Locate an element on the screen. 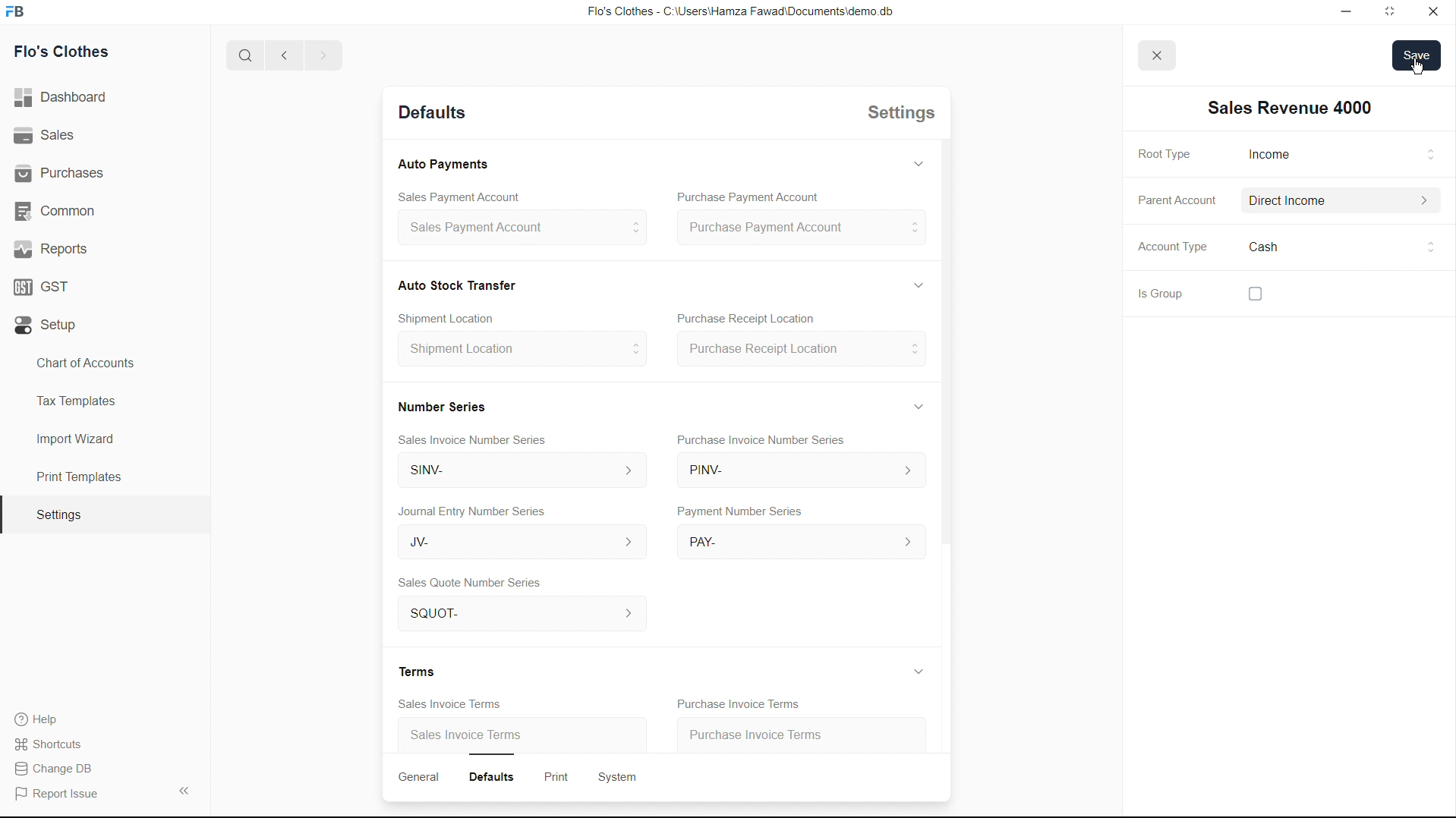  ' Reports is located at coordinates (54, 248).